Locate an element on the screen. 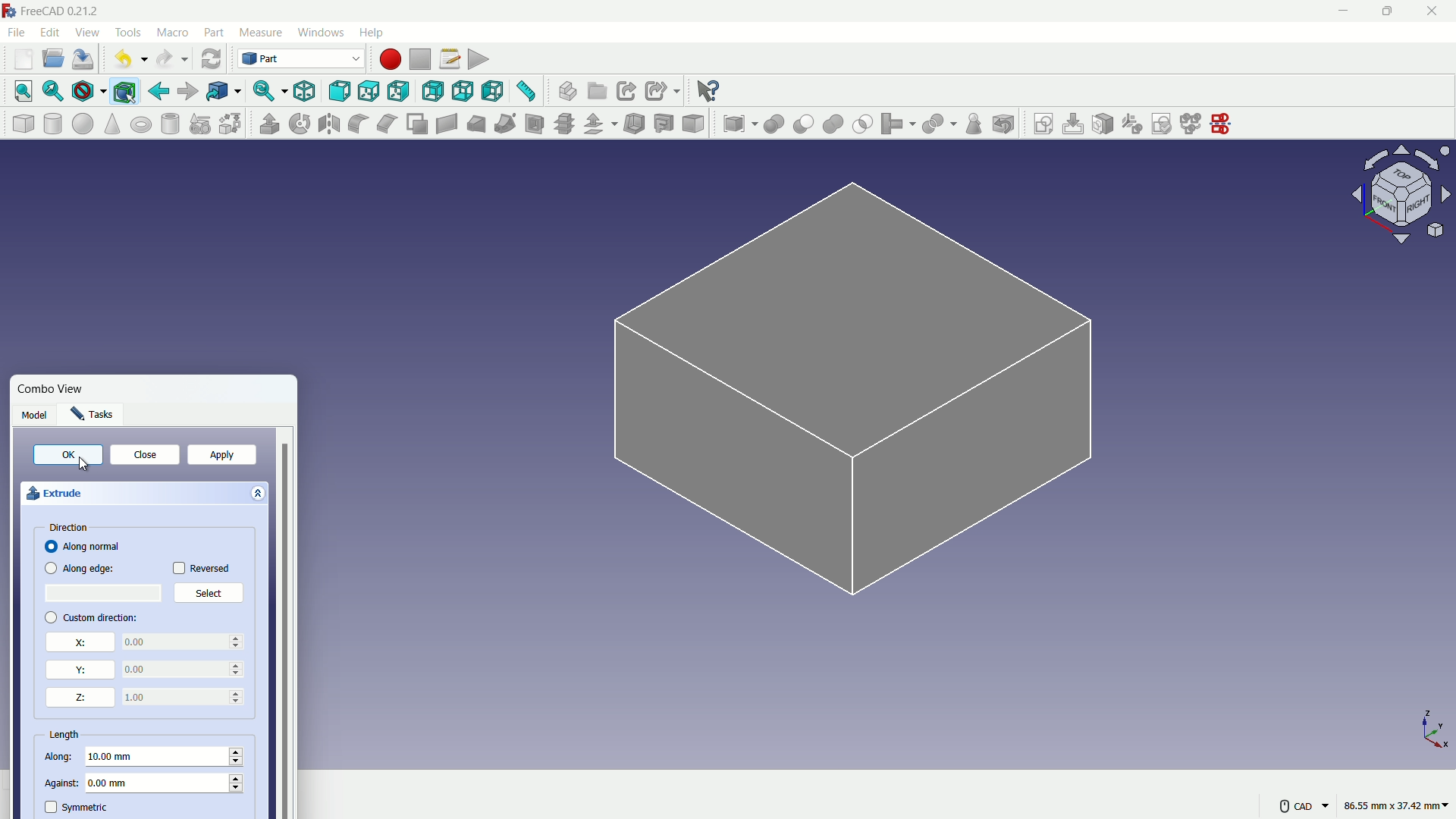 This screenshot has width=1456, height=819. close is located at coordinates (143, 454).